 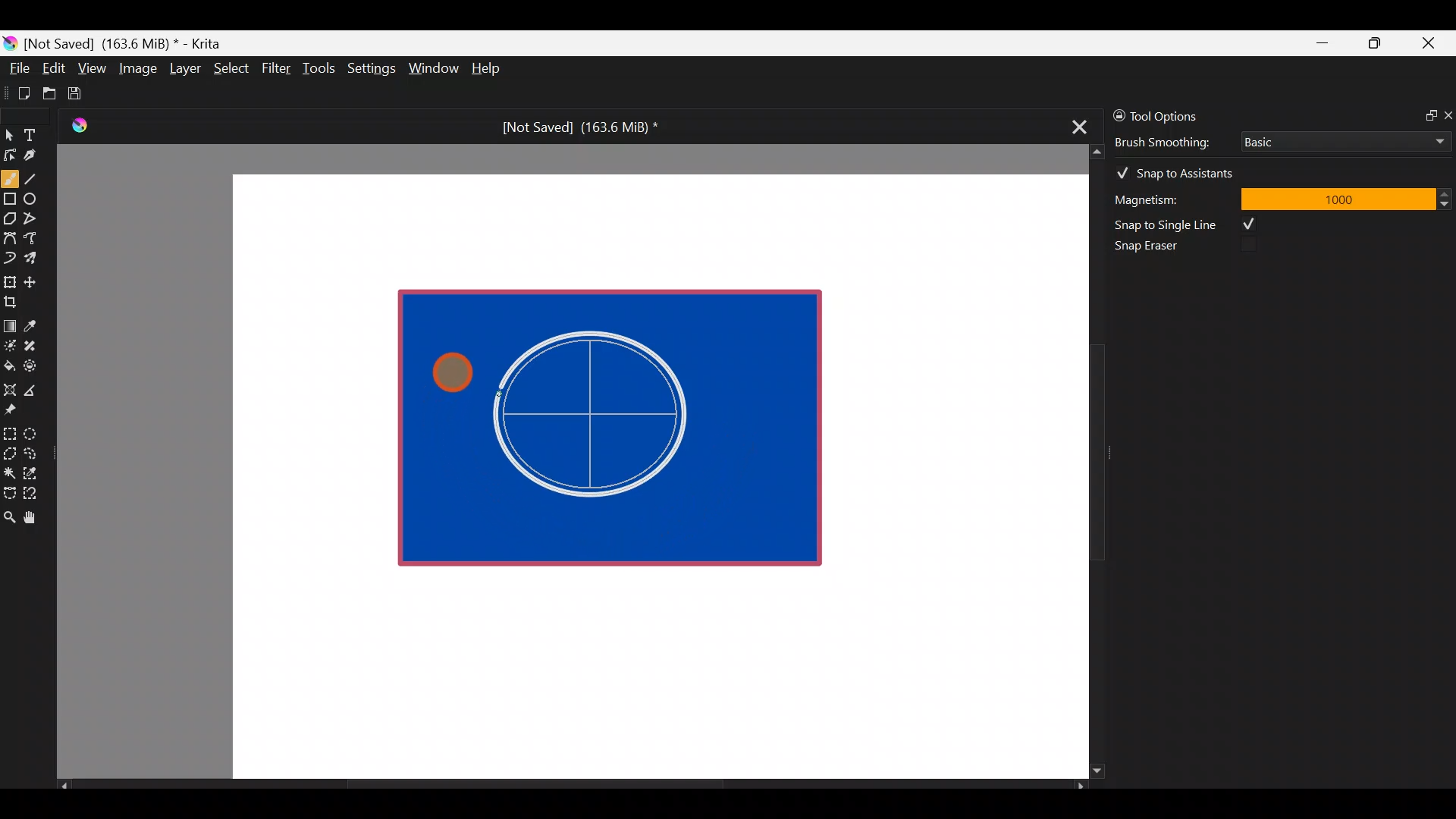 What do you see at coordinates (322, 69) in the screenshot?
I see `Tools` at bounding box center [322, 69].